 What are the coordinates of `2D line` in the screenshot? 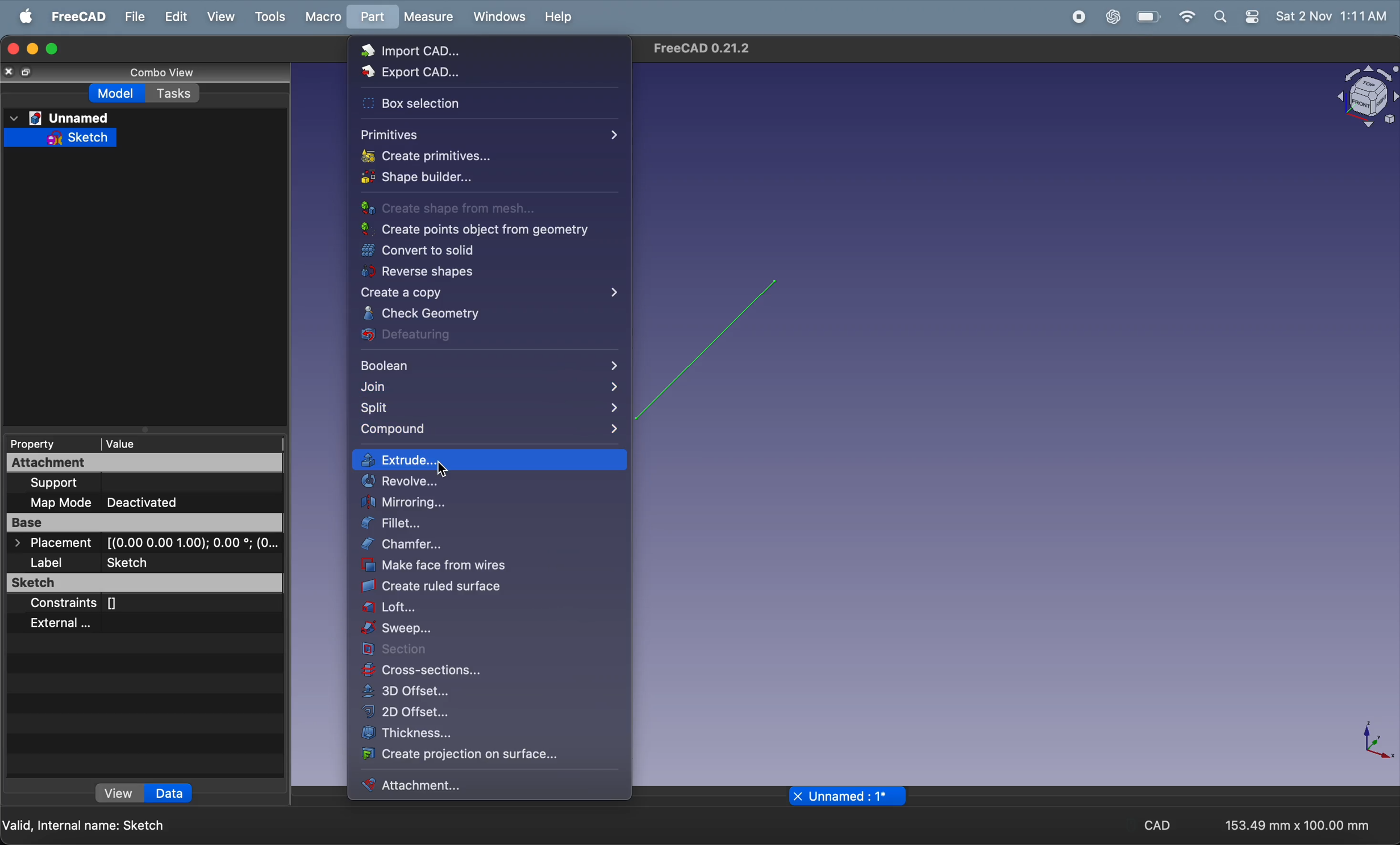 It's located at (711, 349).